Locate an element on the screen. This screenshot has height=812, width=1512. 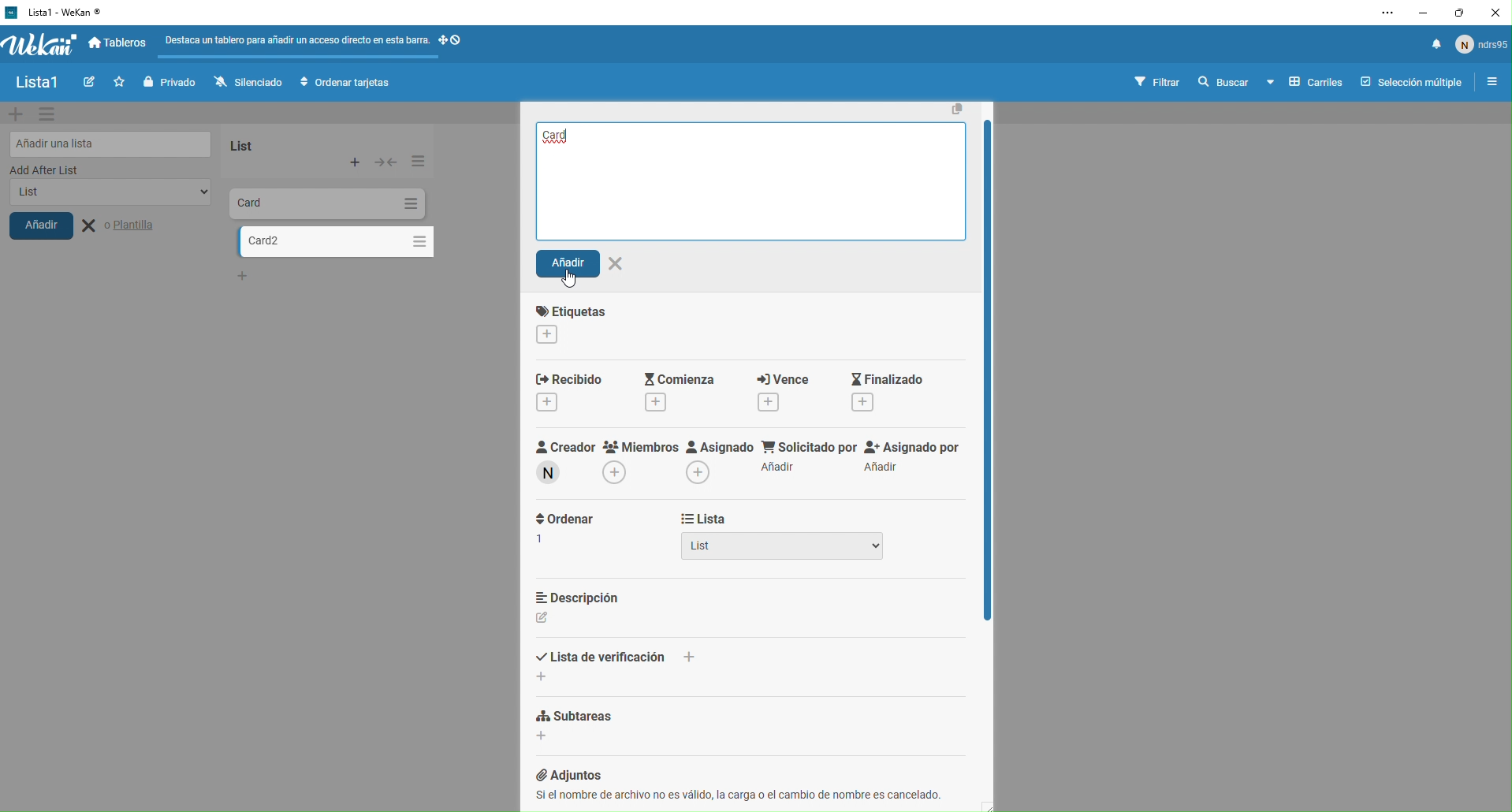
Options is located at coordinates (416, 161).